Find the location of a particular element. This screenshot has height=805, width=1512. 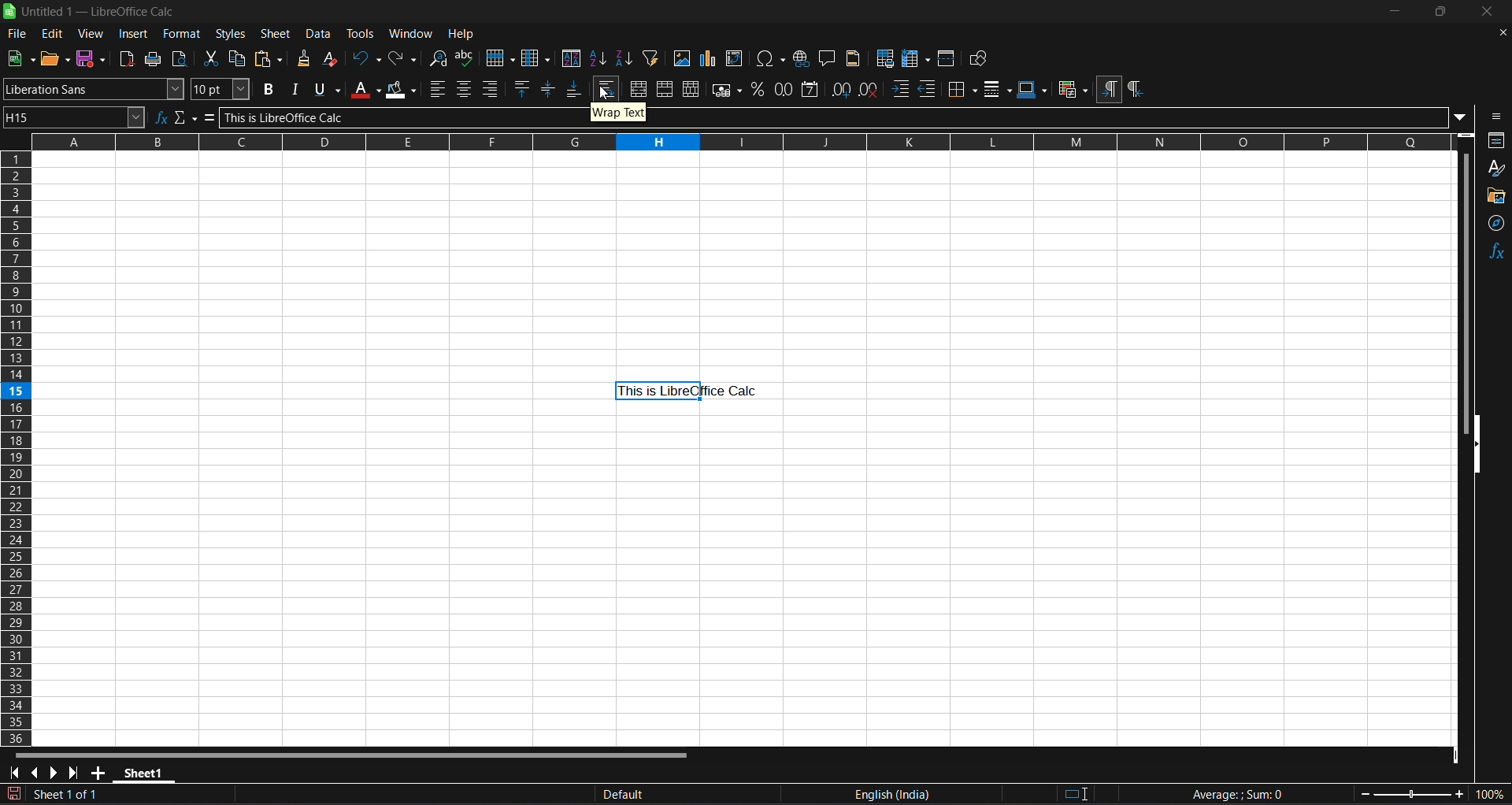

redo is located at coordinates (404, 60).